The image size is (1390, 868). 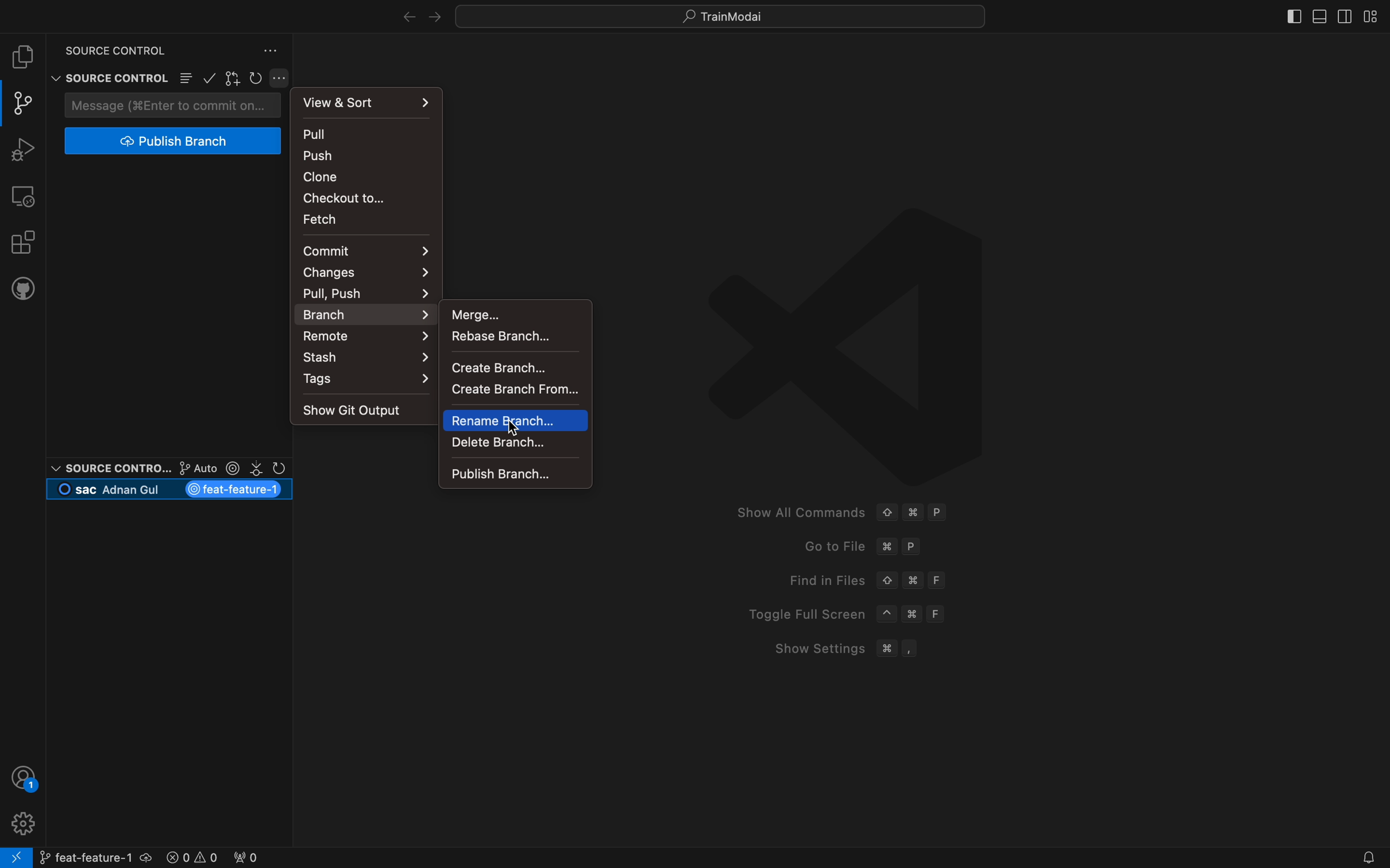 What do you see at coordinates (171, 490) in the screenshot?
I see `current branch ` at bounding box center [171, 490].